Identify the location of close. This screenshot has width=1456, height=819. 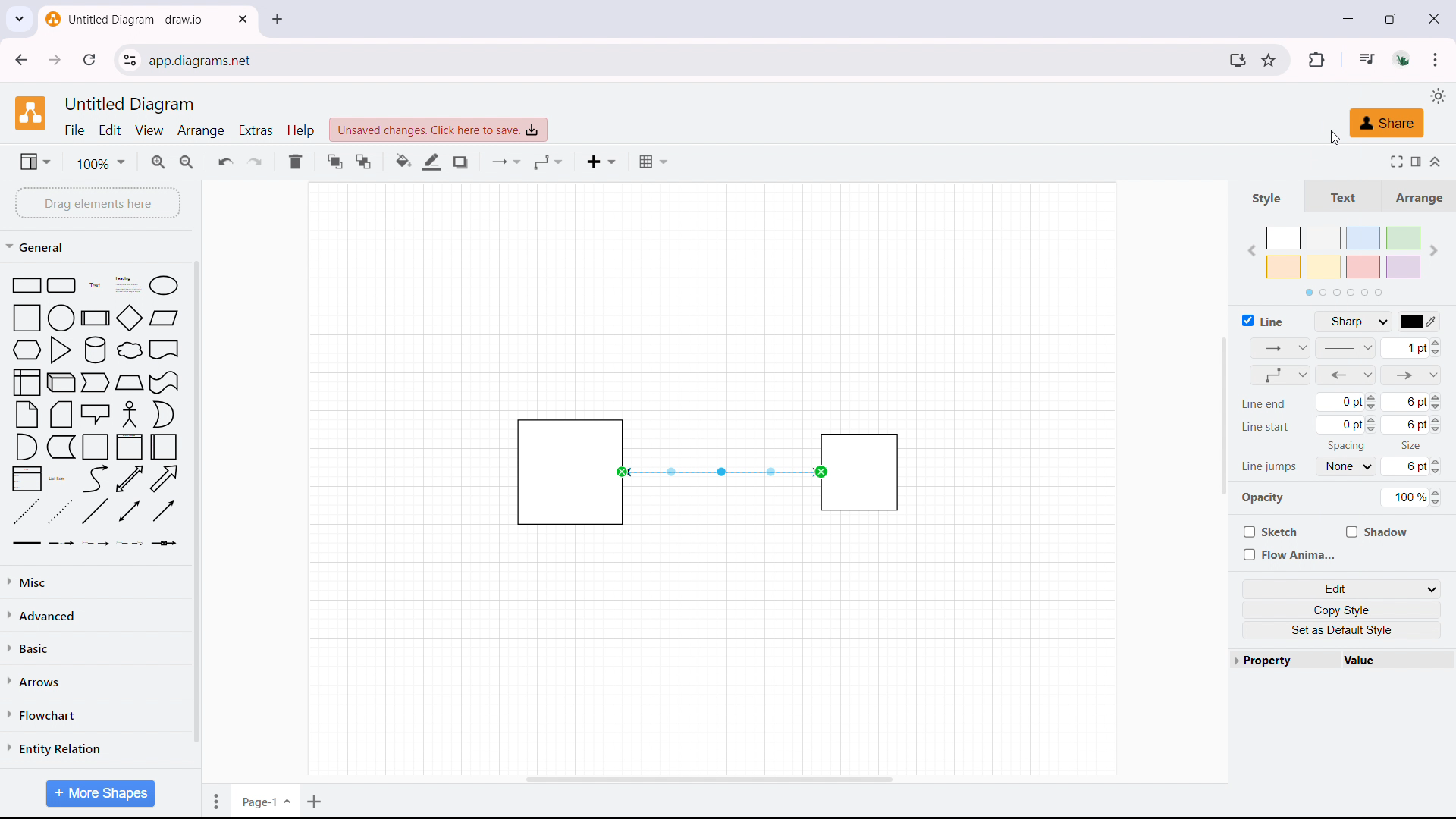
(1433, 17).